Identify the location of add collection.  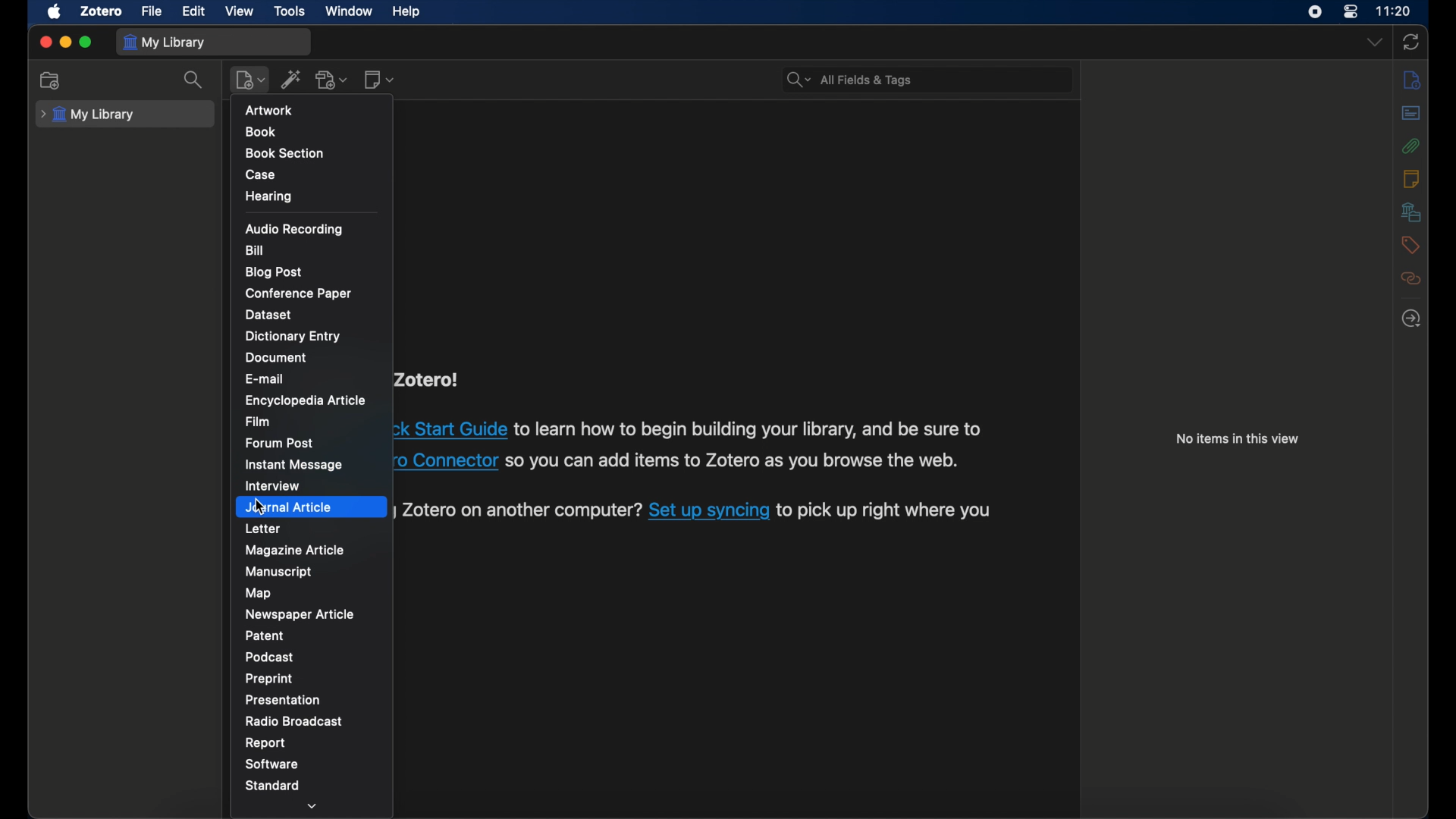
(51, 81).